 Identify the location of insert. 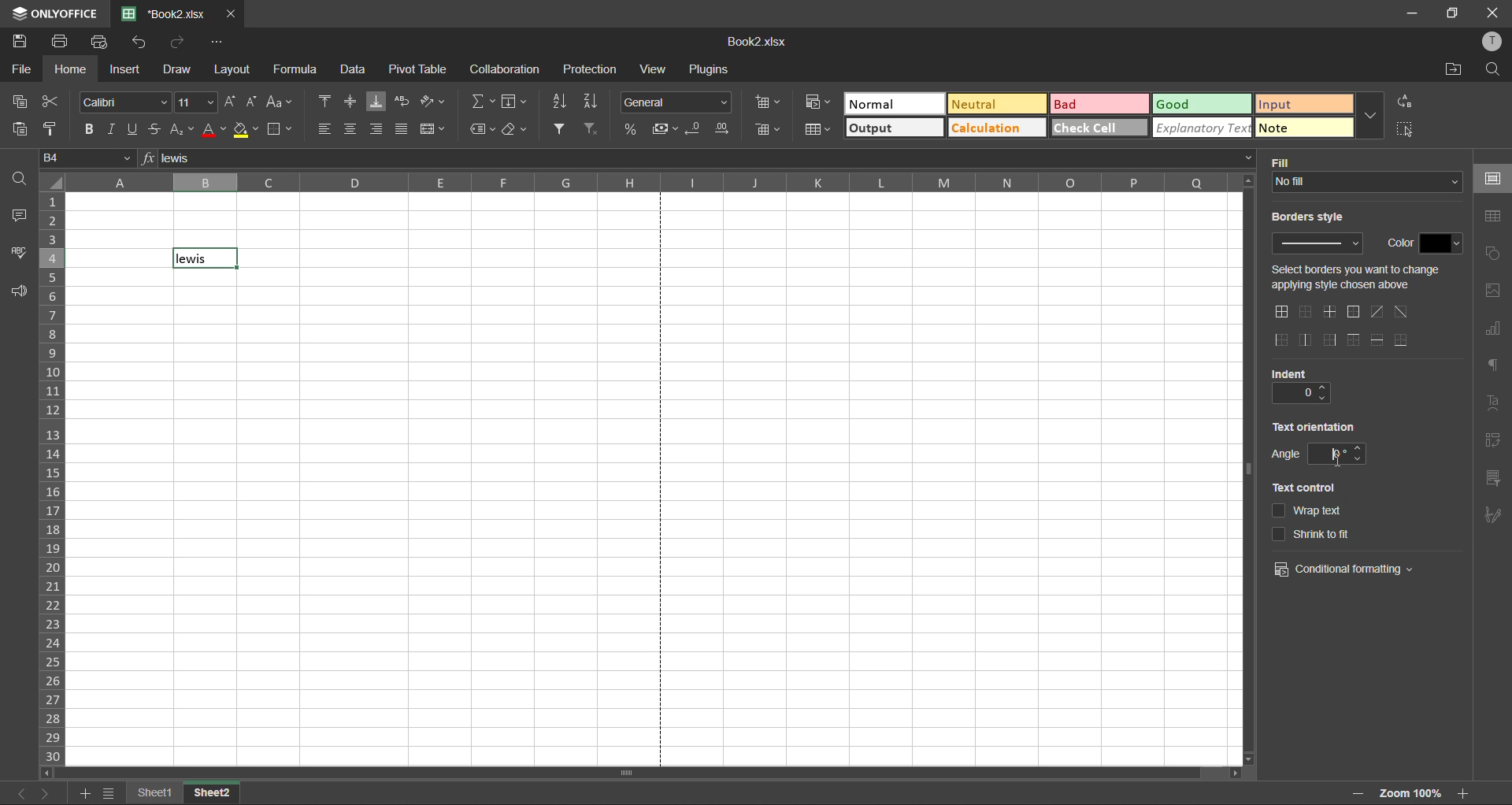
(128, 69).